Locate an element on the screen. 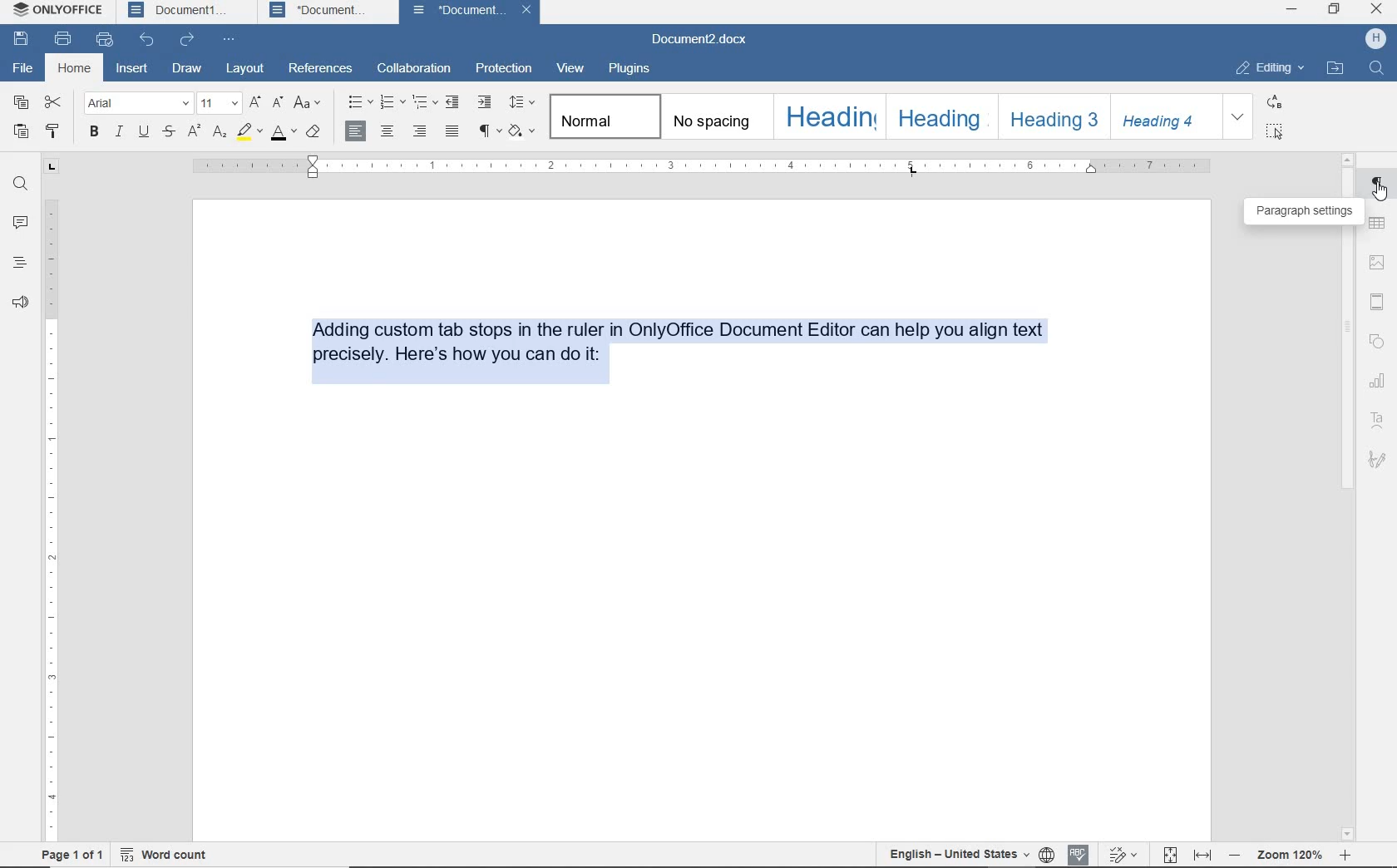  home is located at coordinates (74, 69).